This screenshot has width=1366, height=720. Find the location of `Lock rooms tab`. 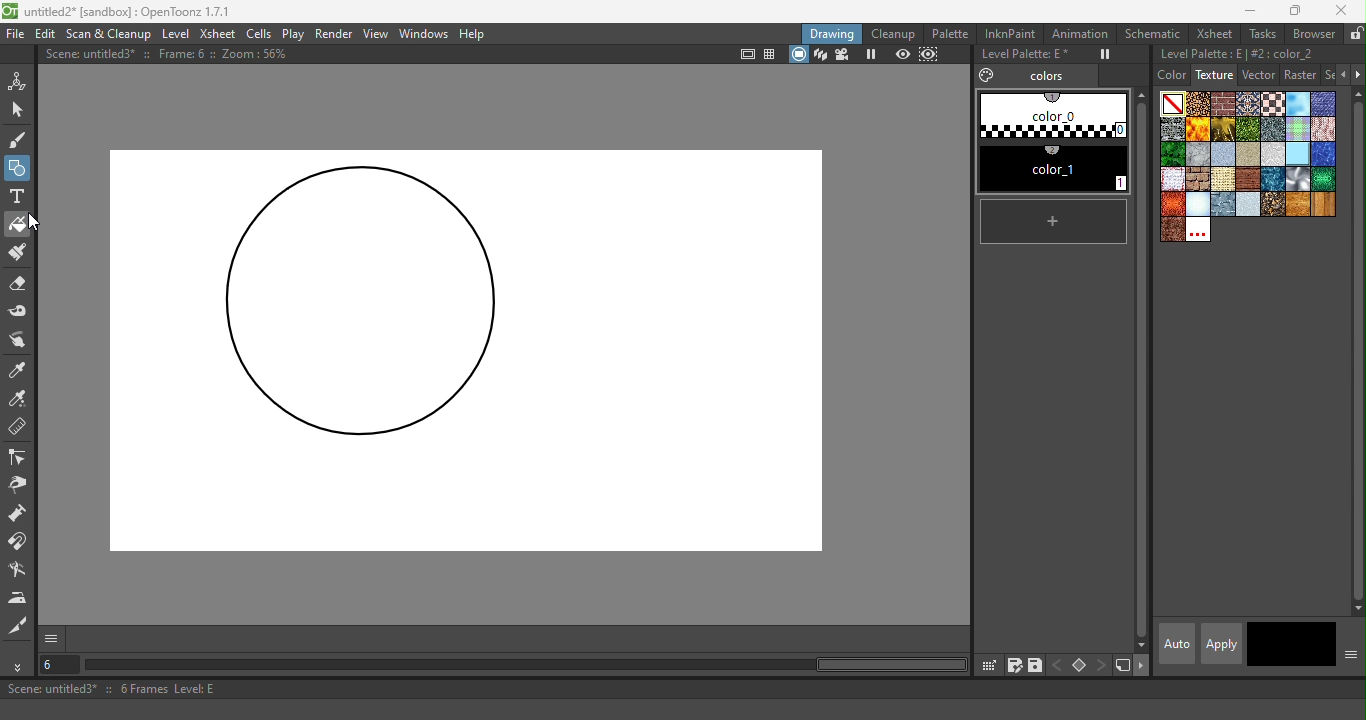

Lock rooms tab is located at coordinates (1355, 33).